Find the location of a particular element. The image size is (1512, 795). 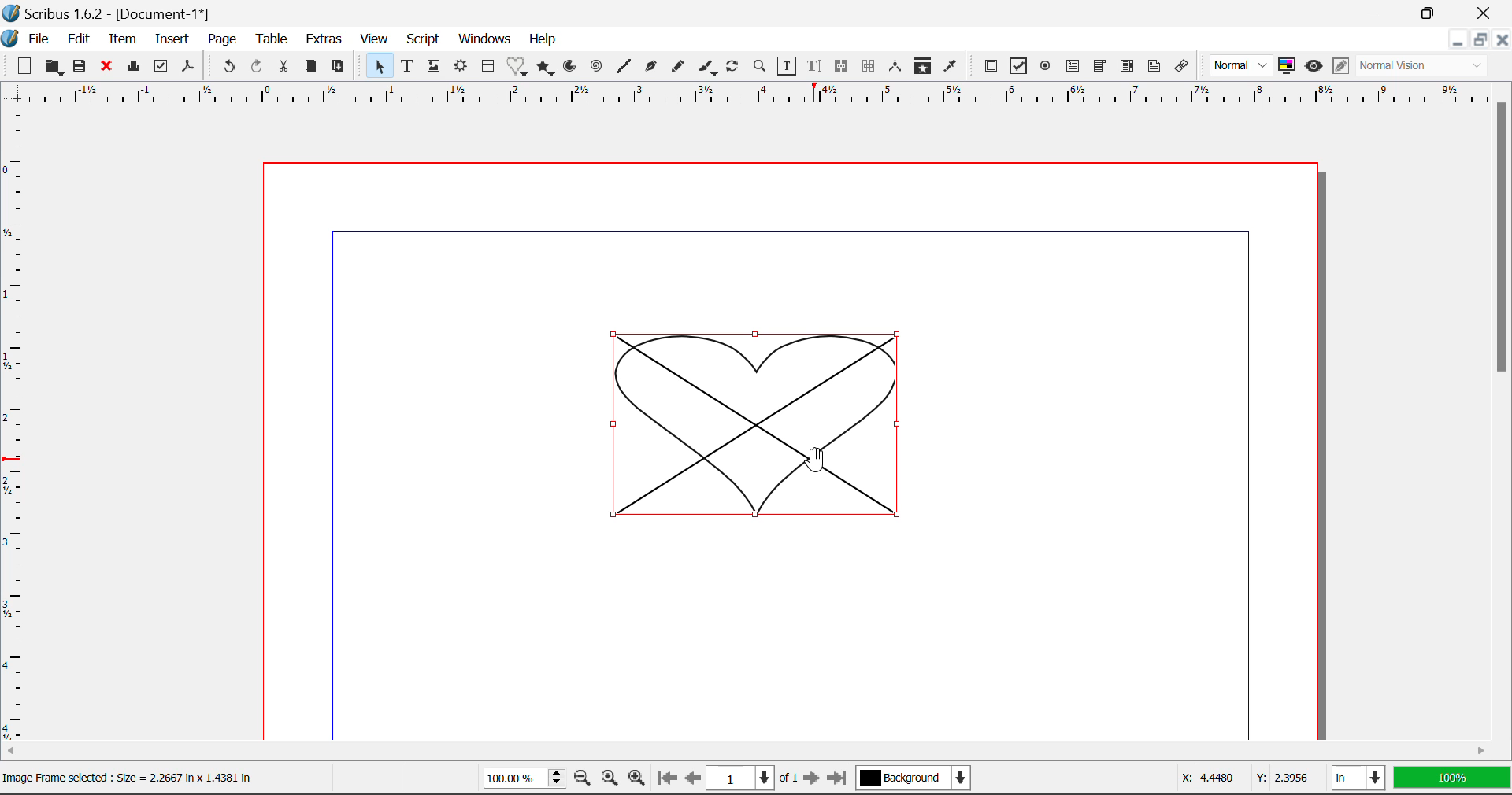

Page is located at coordinates (224, 39).